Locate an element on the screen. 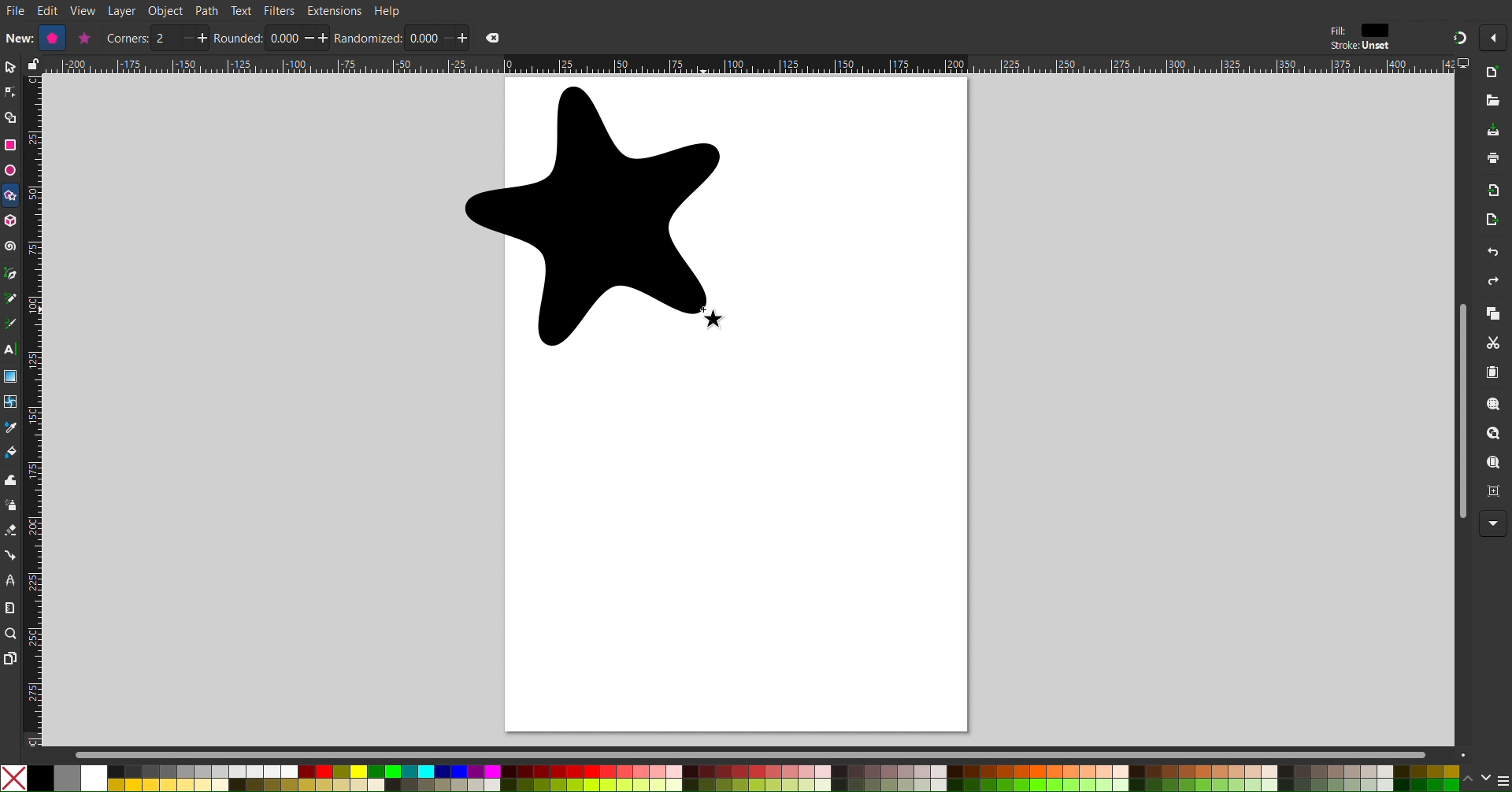  Vertical Ruler is located at coordinates (32, 410).